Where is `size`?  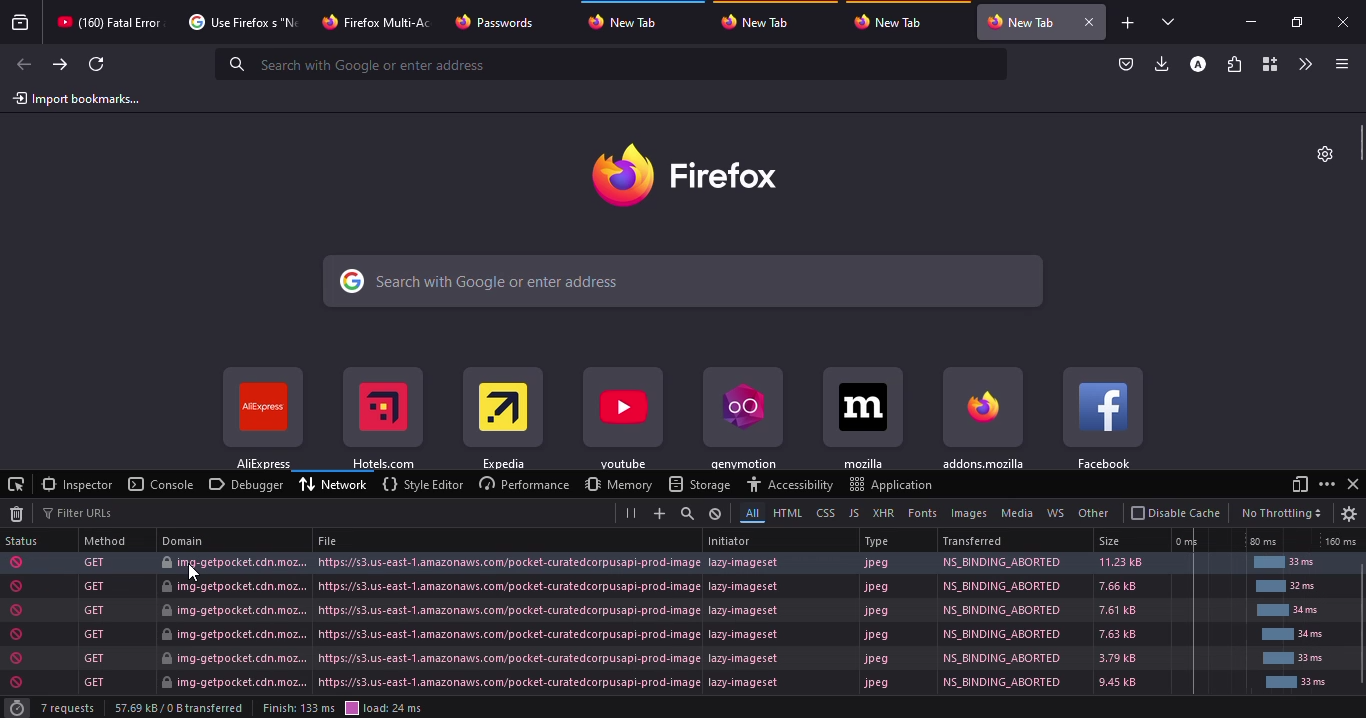 size is located at coordinates (1115, 542).